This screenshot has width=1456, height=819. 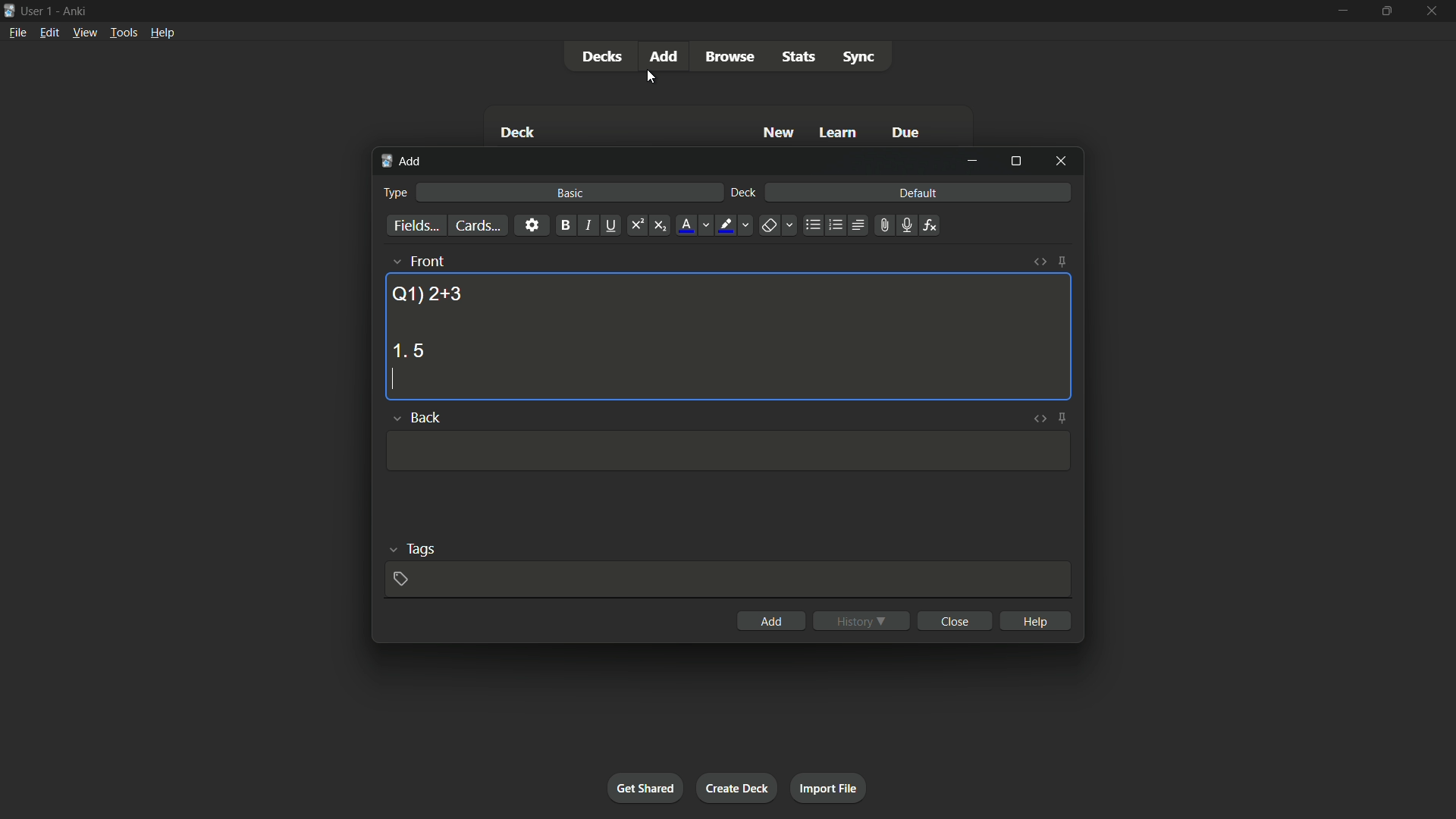 What do you see at coordinates (772, 621) in the screenshot?
I see `add` at bounding box center [772, 621].